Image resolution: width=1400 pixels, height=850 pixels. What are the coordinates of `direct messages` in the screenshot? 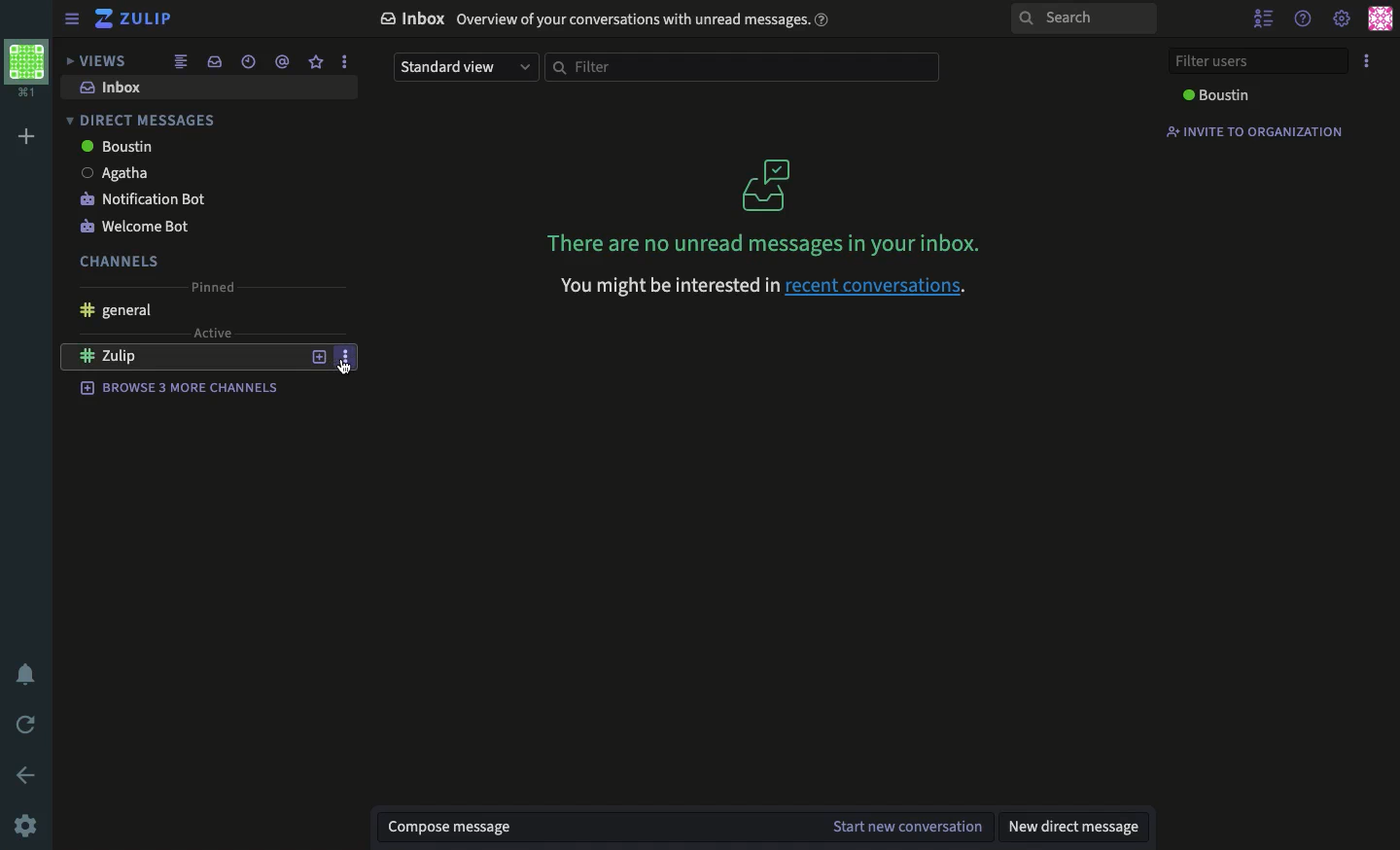 It's located at (138, 121).